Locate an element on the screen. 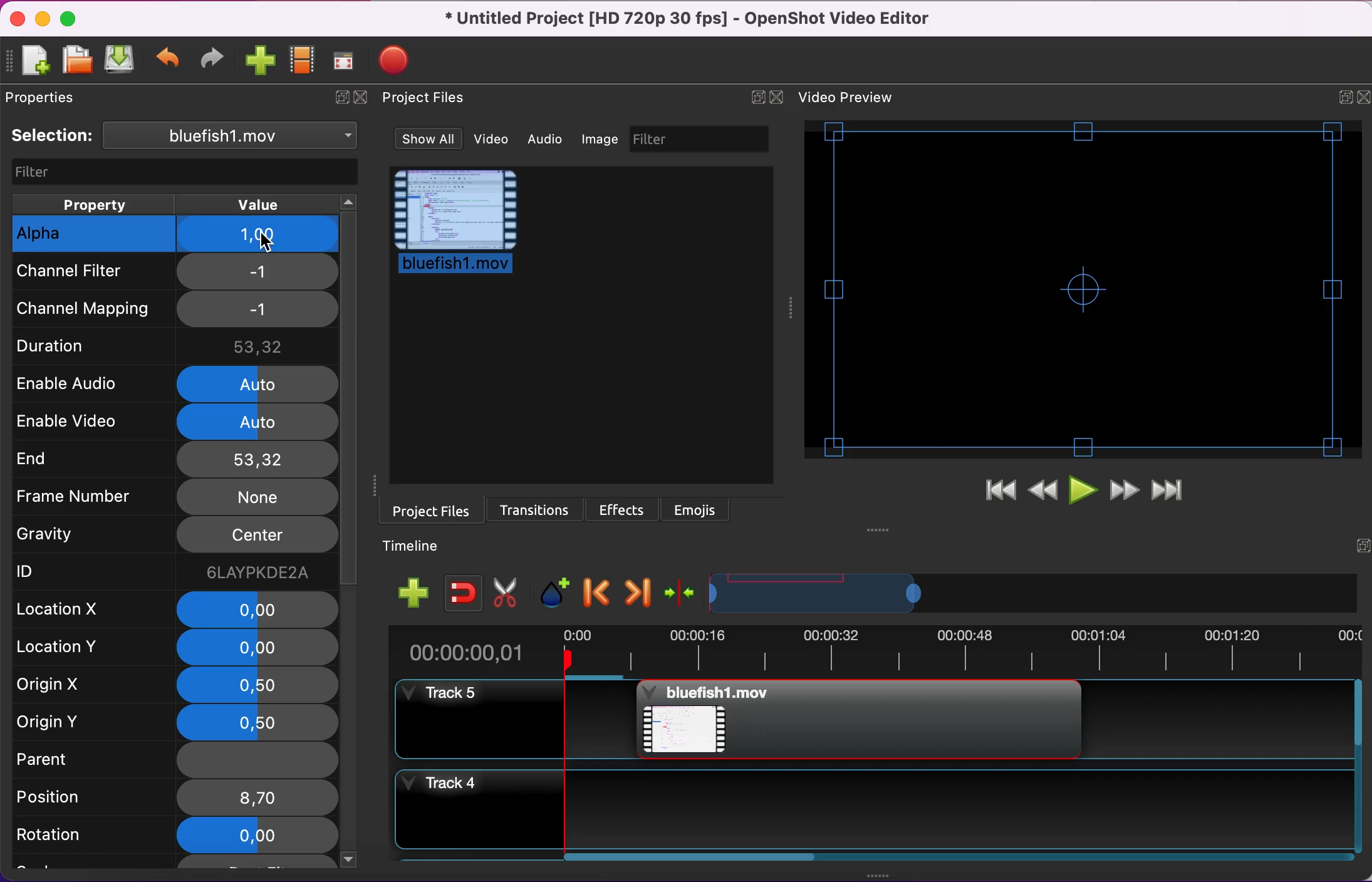 Image resolution: width=1372 pixels, height=882 pixels. minimize is located at coordinates (42, 19).